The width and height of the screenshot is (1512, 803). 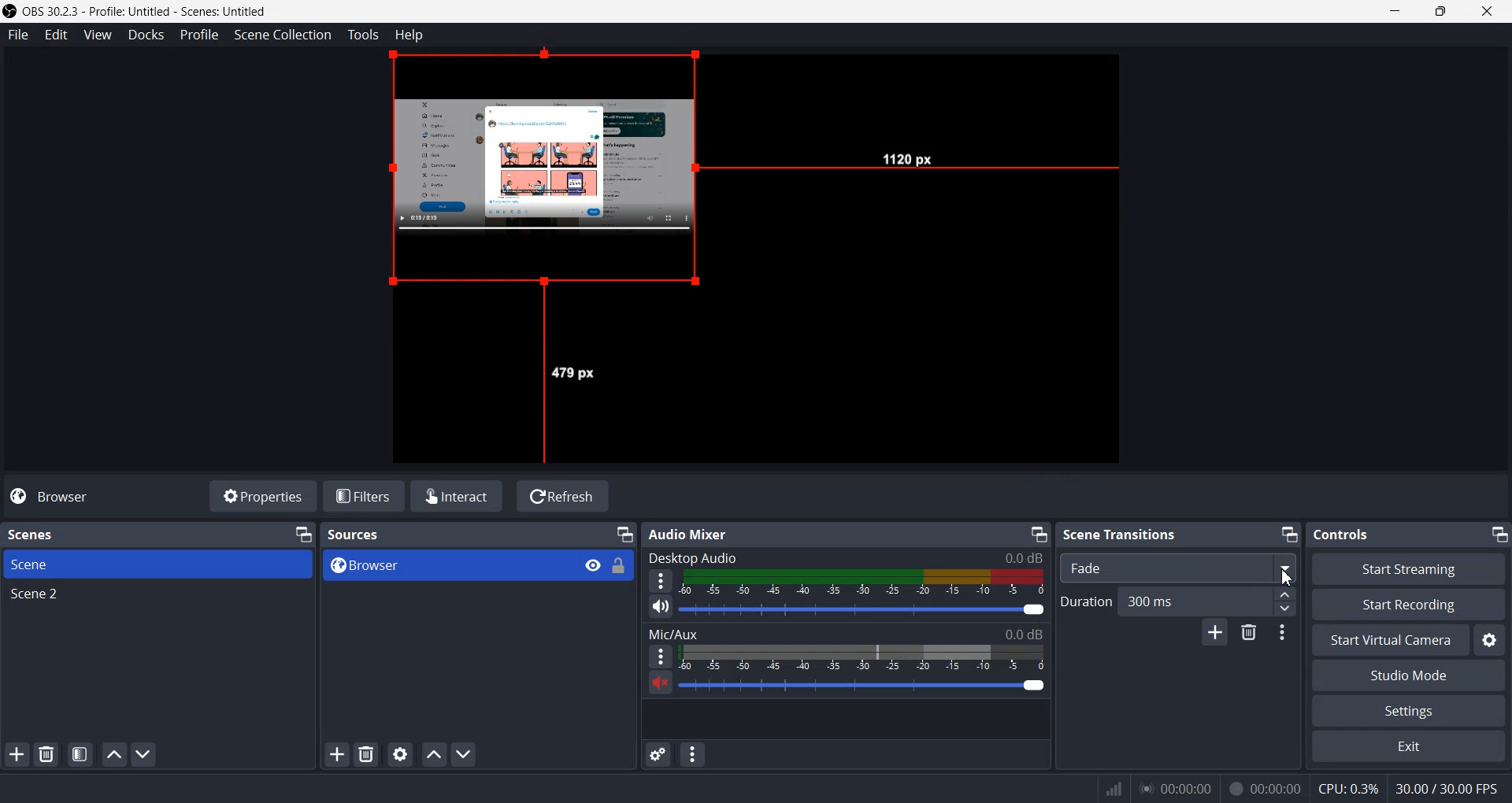 What do you see at coordinates (434, 754) in the screenshot?
I see `Move source up` at bounding box center [434, 754].